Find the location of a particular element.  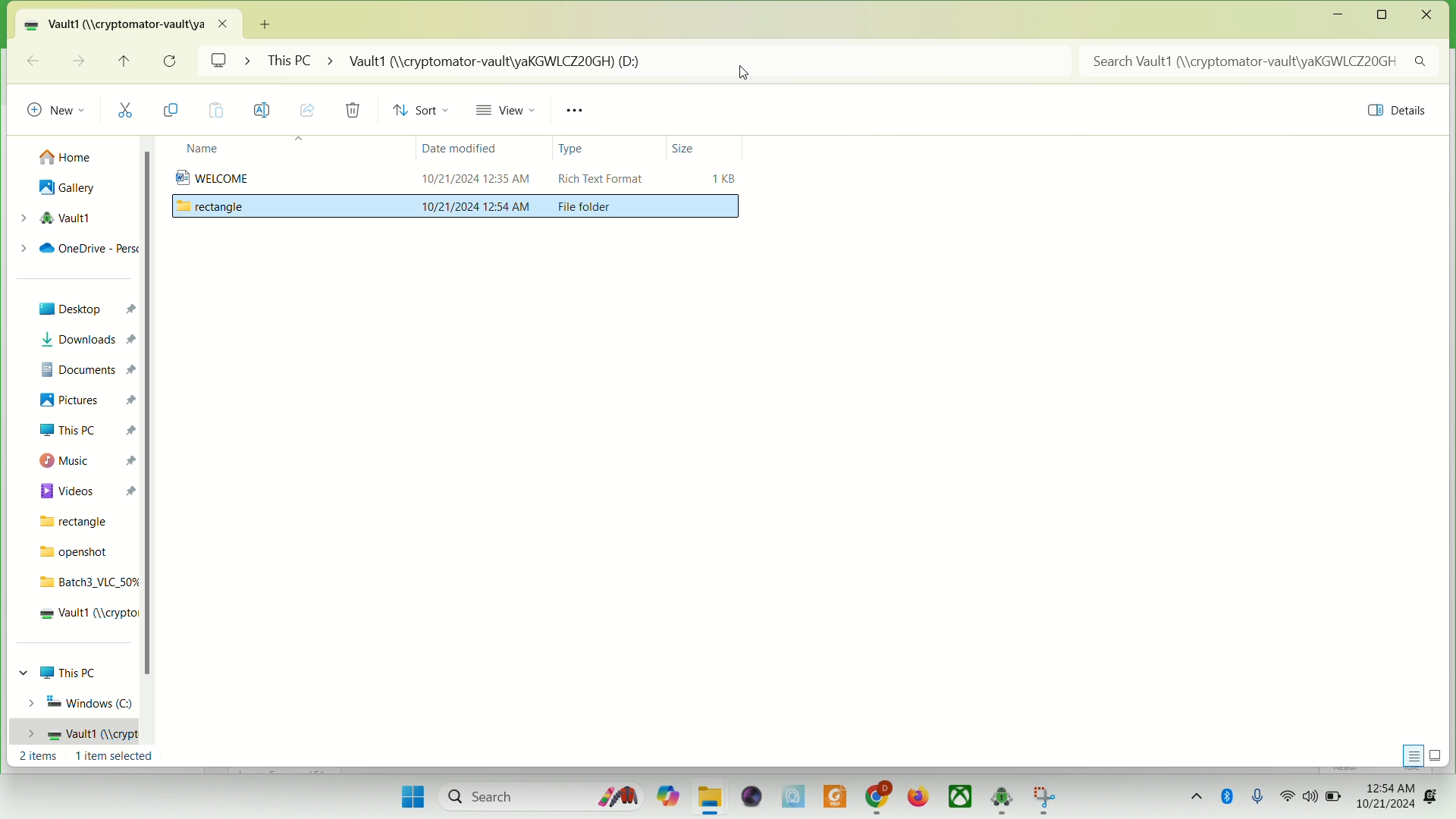

type is located at coordinates (574, 151).